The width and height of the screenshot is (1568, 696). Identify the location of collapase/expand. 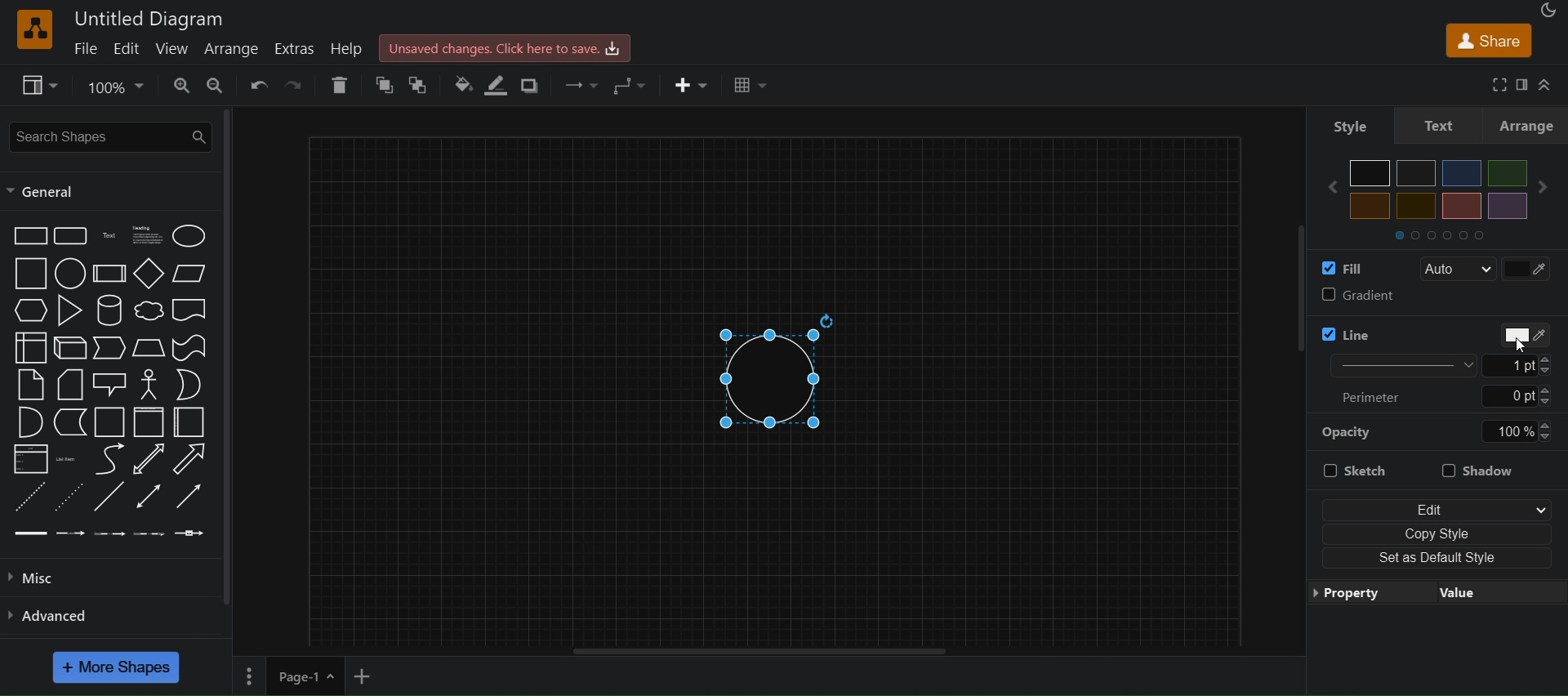
(1548, 84).